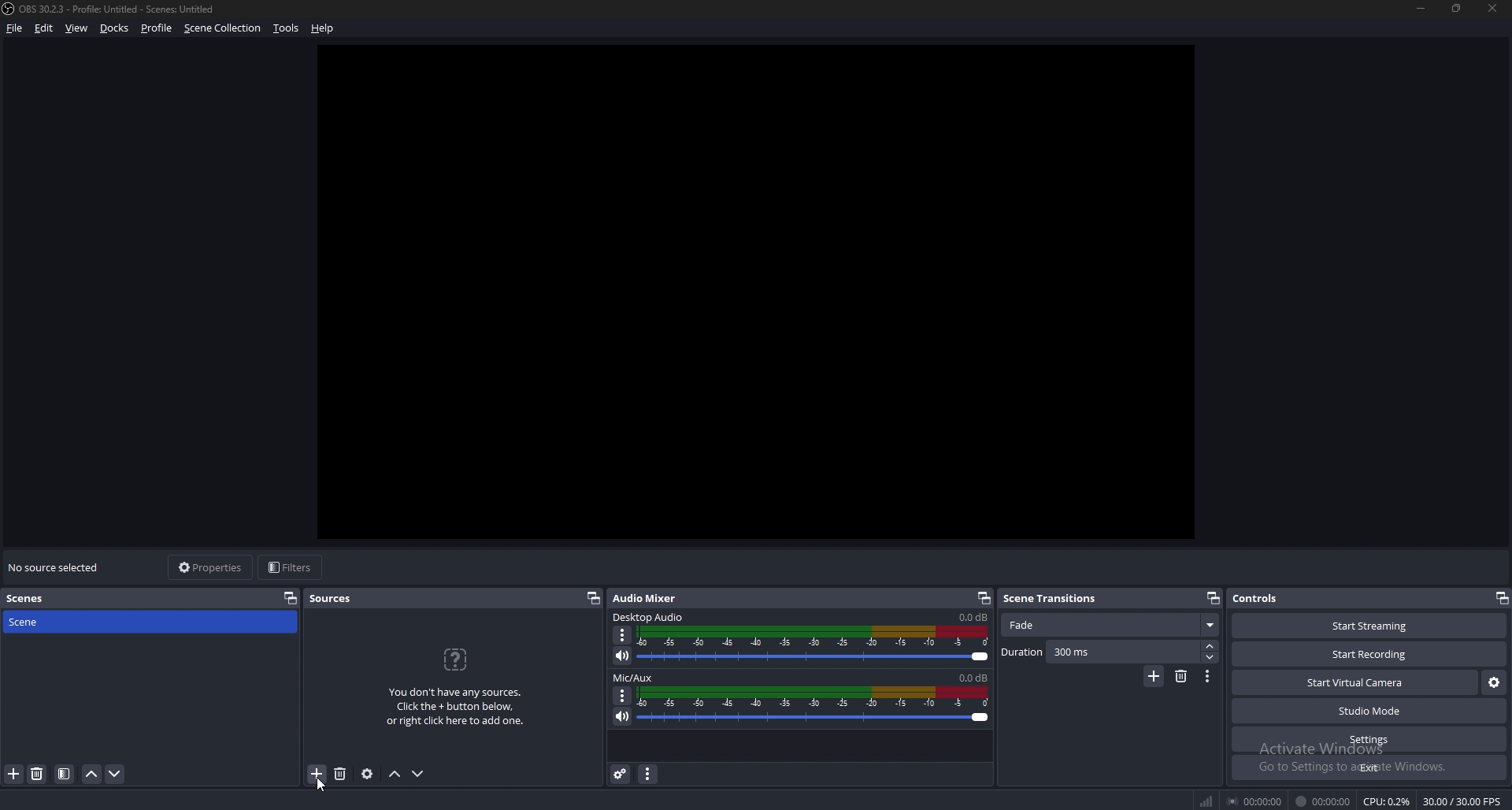 The width and height of the screenshot is (1512, 810). I want to click on  Audio mixer menu, so click(647, 775).